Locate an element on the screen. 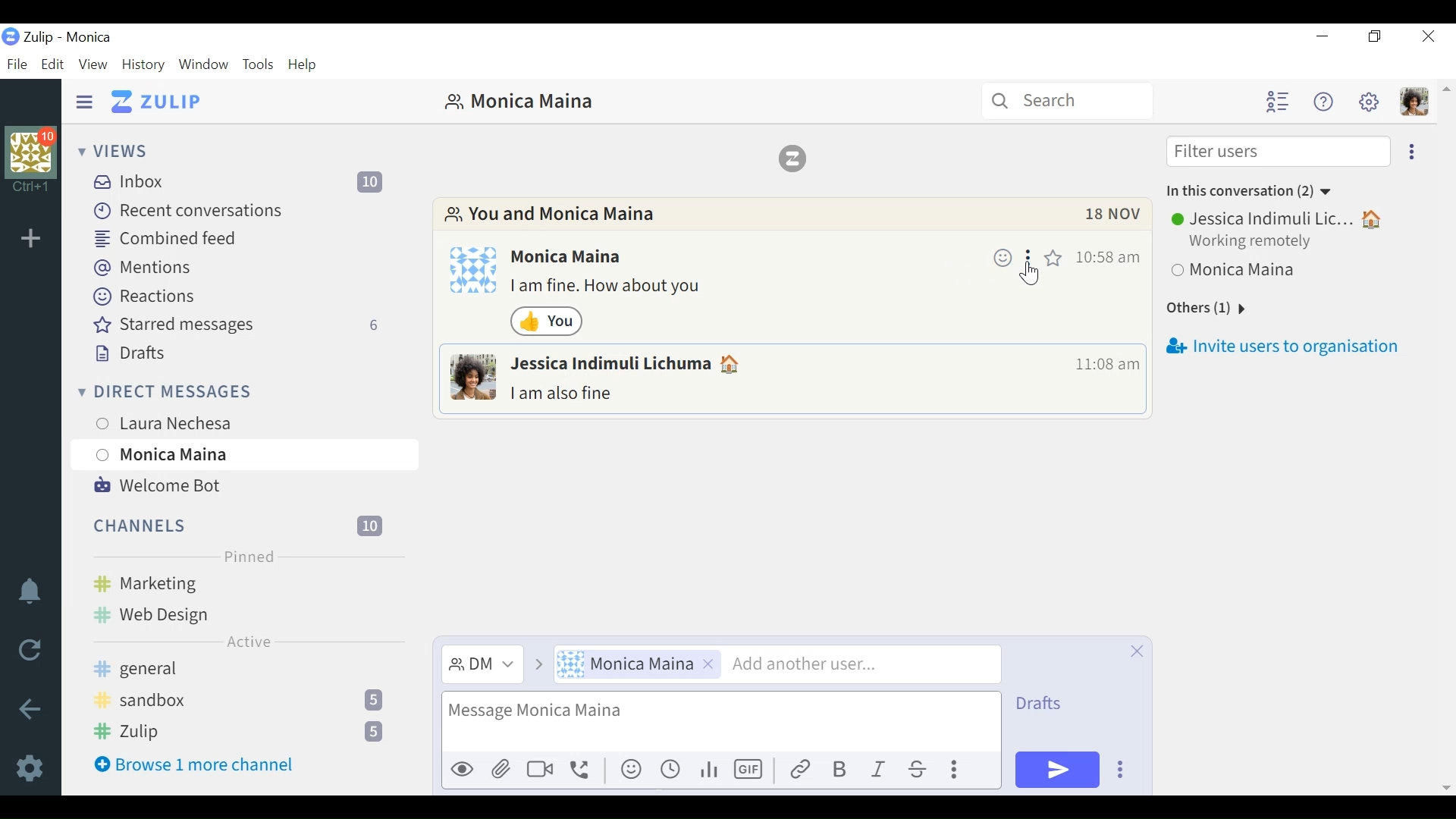 The width and height of the screenshot is (1456, 819). I am fine. How about you is located at coordinates (610, 288).